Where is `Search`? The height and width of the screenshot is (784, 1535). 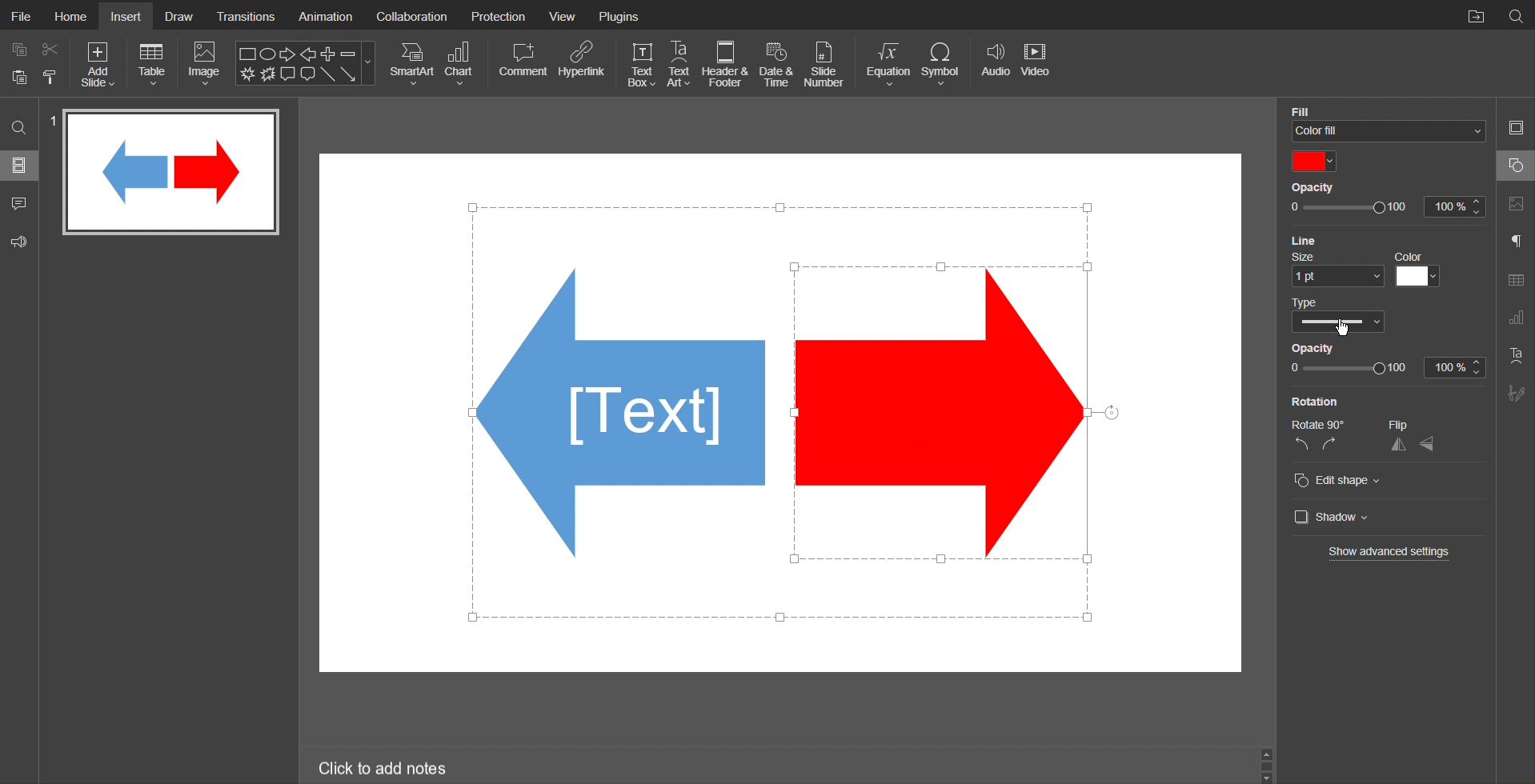 Search is located at coordinates (19, 130).